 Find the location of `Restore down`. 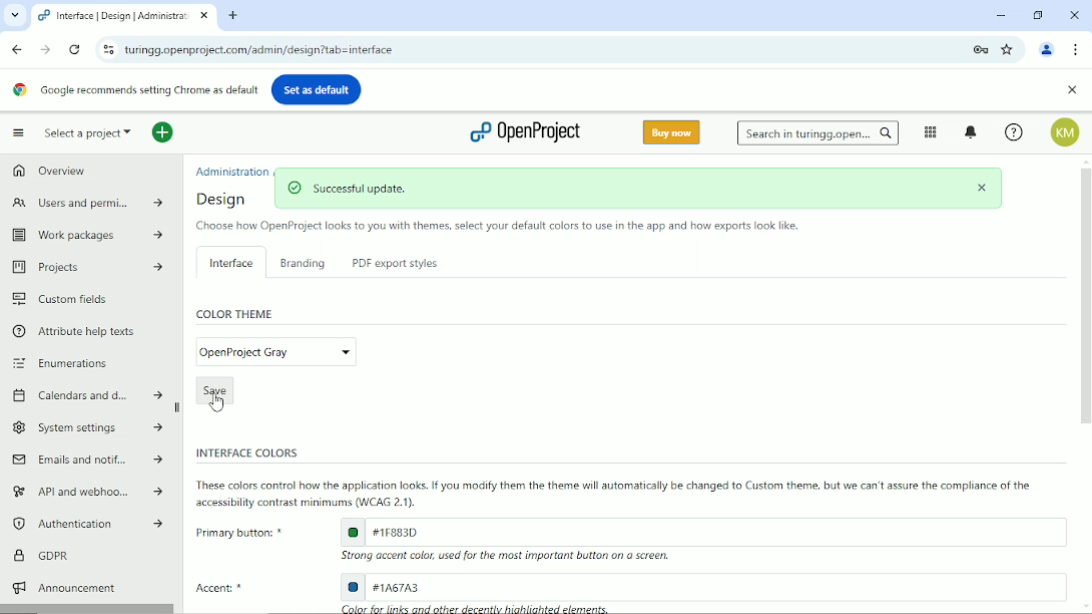

Restore down is located at coordinates (1038, 14).